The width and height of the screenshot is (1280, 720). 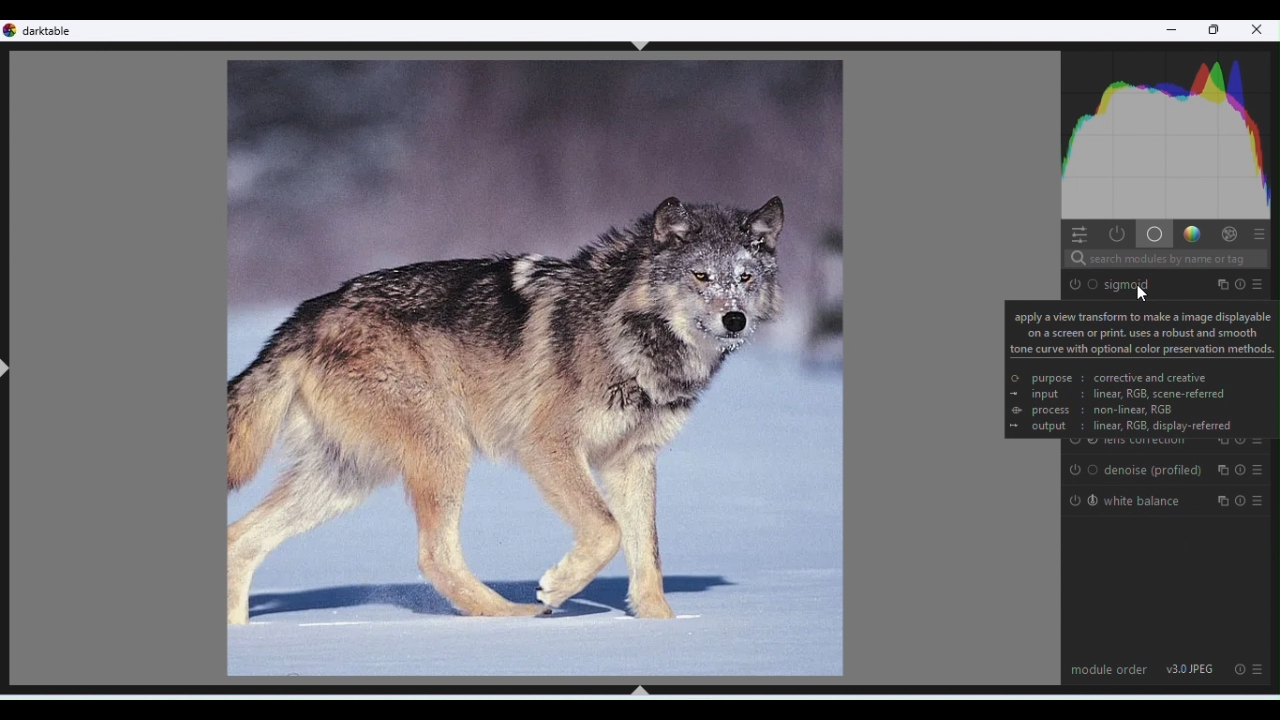 I want to click on Preset, so click(x=1261, y=670).